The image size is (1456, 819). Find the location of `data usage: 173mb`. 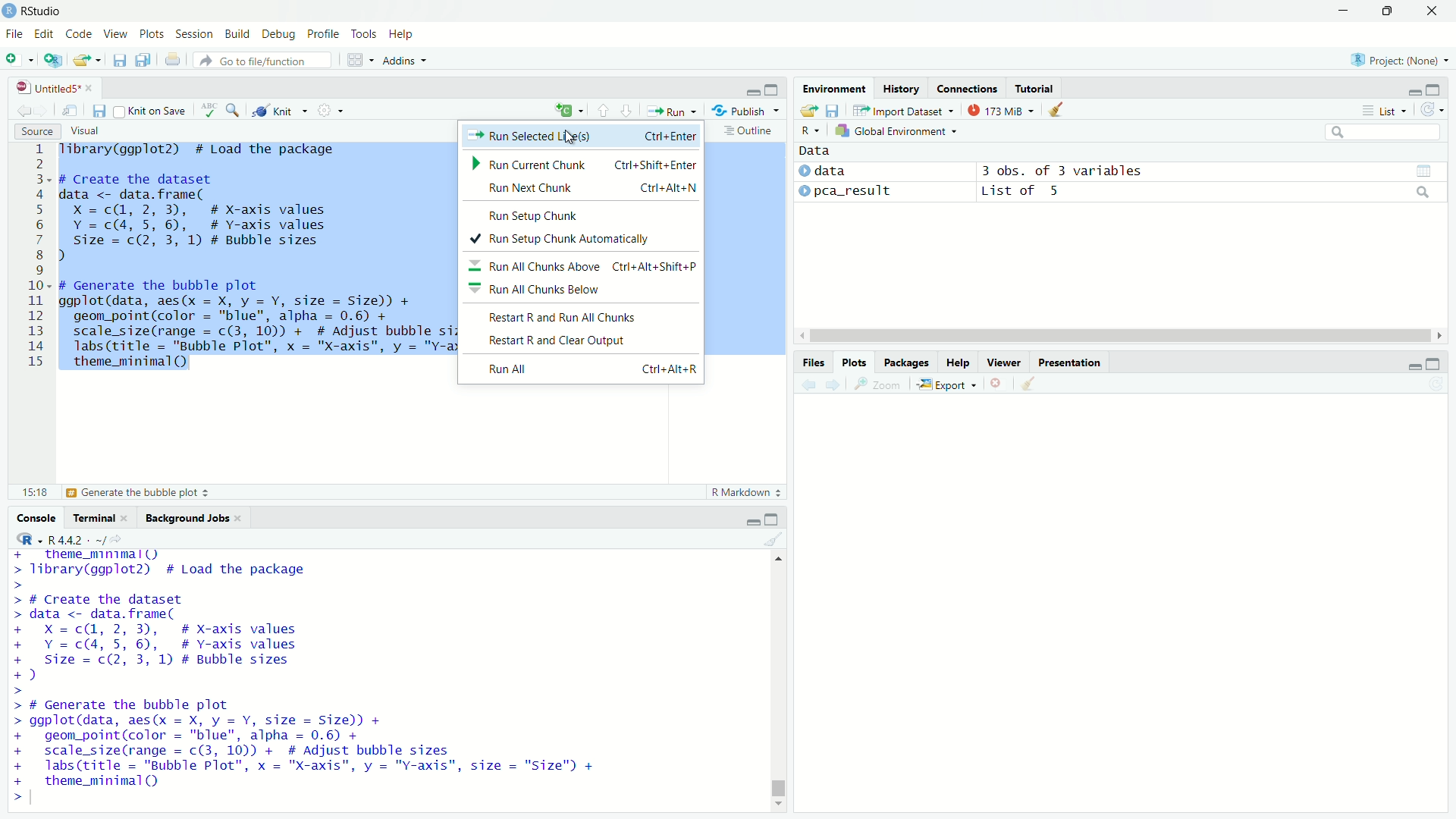

data usage: 173mb is located at coordinates (999, 109).